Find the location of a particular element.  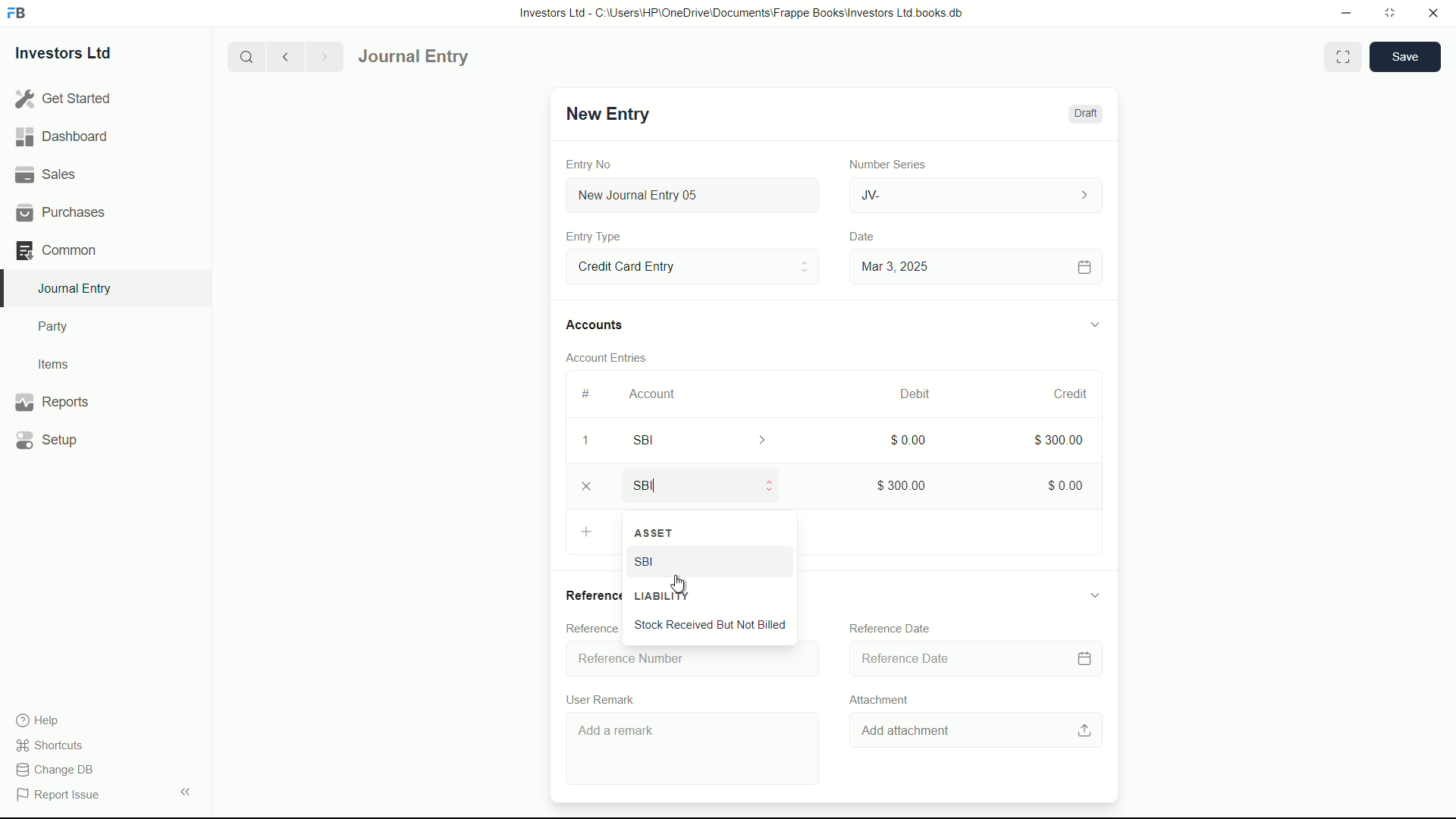

Next is located at coordinates (322, 56).